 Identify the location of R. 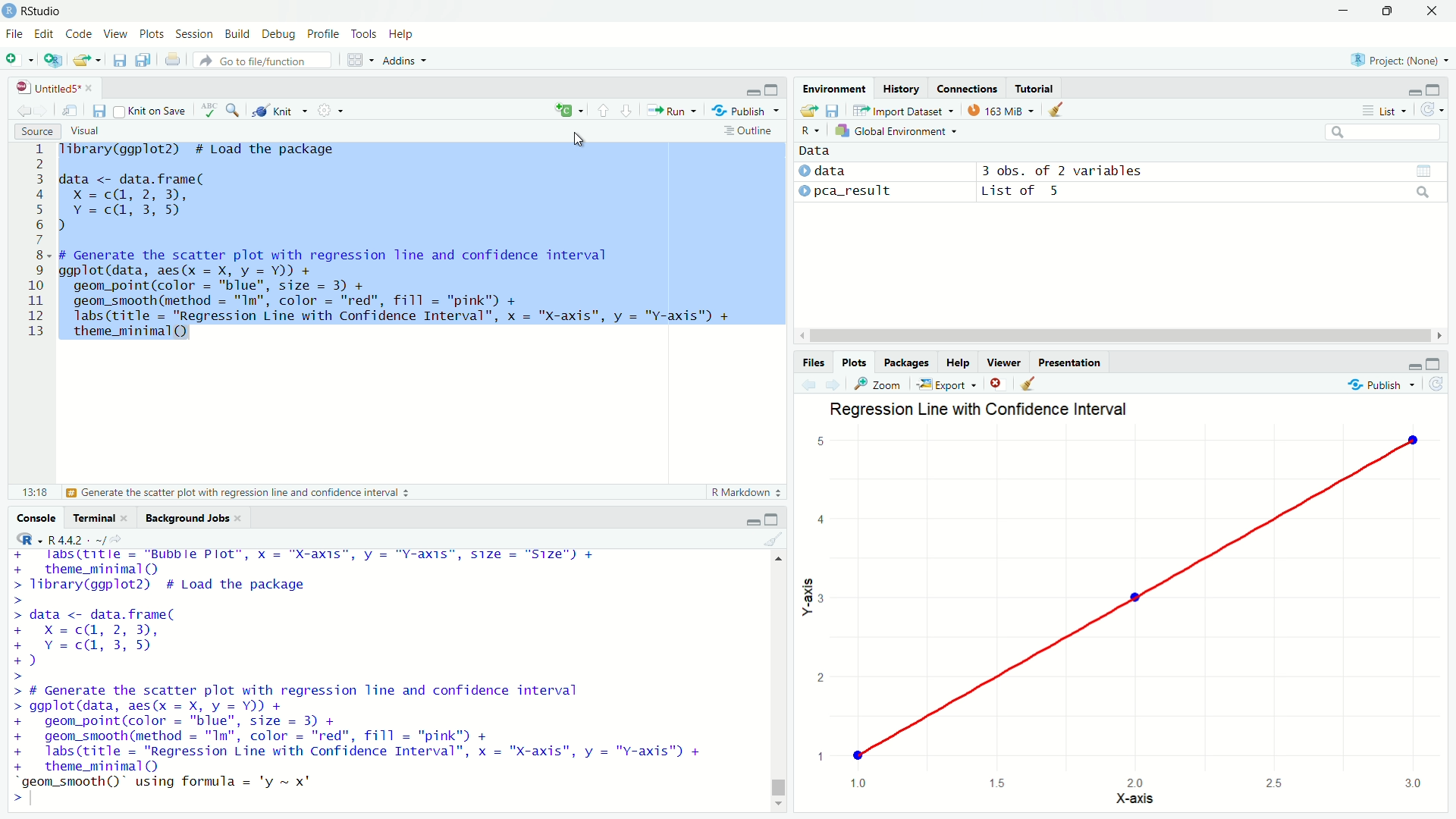
(26, 539).